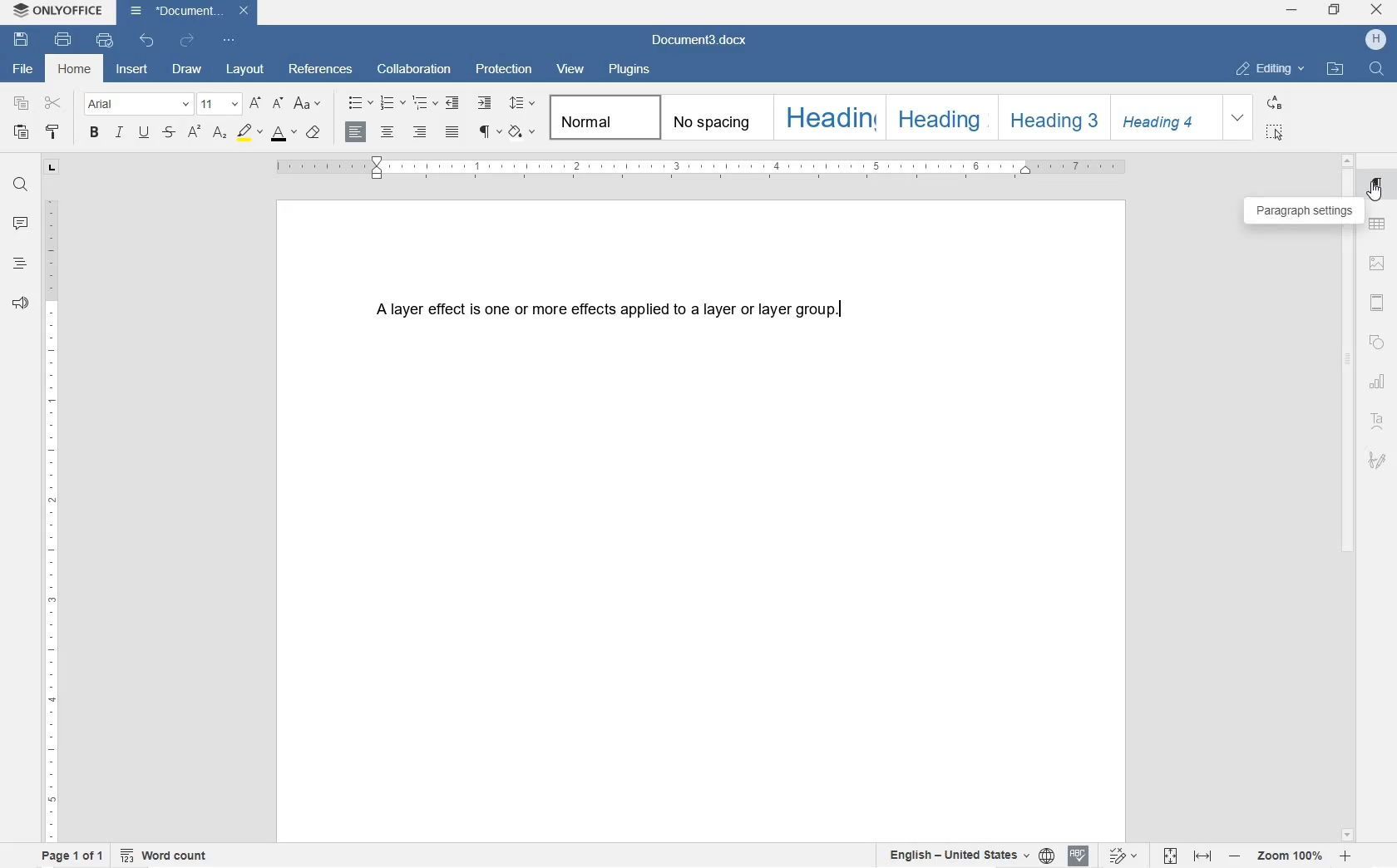 This screenshot has width=1397, height=868. What do you see at coordinates (22, 40) in the screenshot?
I see `SAVE` at bounding box center [22, 40].